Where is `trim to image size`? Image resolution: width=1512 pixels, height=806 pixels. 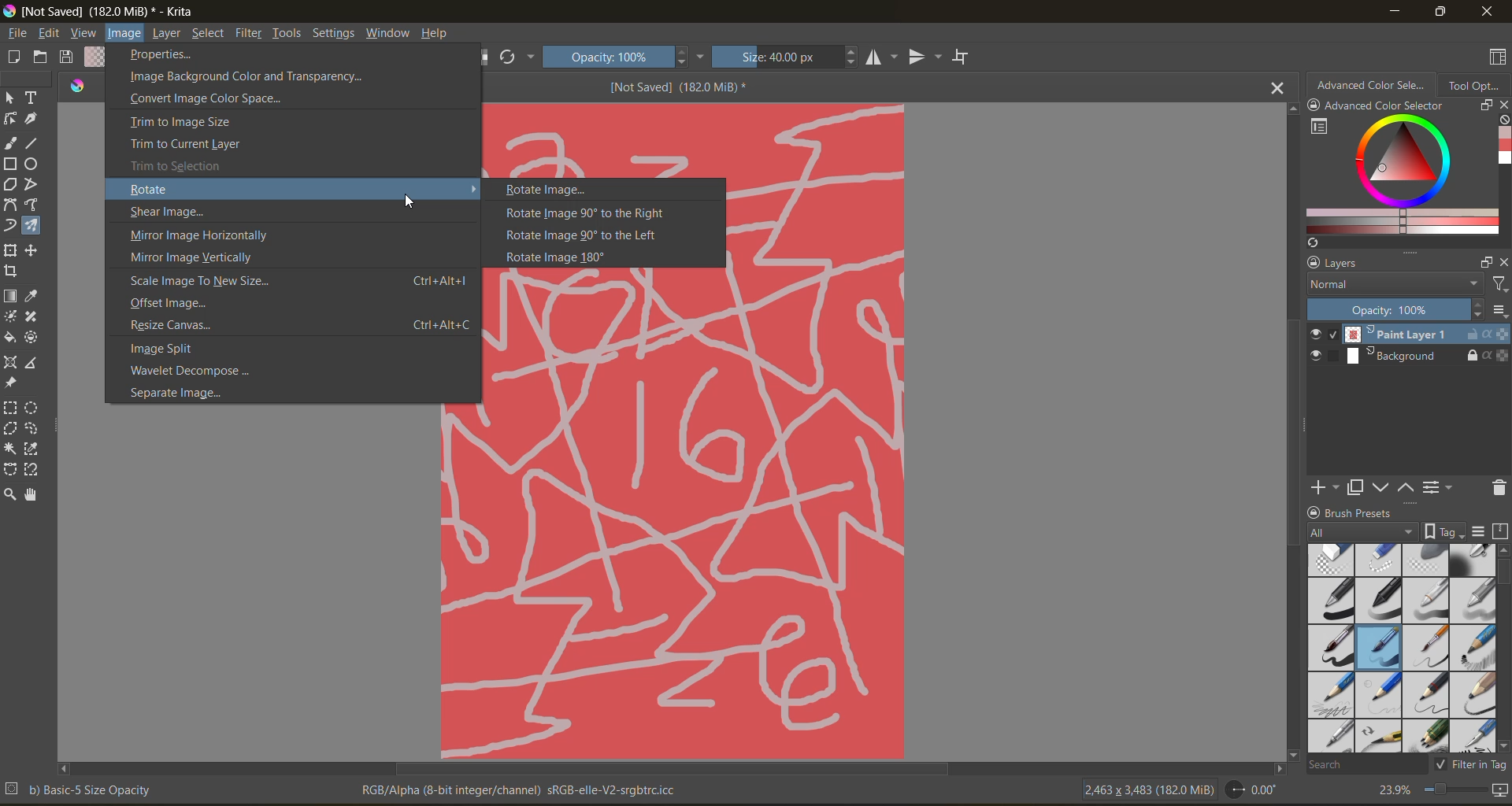
trim to image size is located at coordinates (182, 124).